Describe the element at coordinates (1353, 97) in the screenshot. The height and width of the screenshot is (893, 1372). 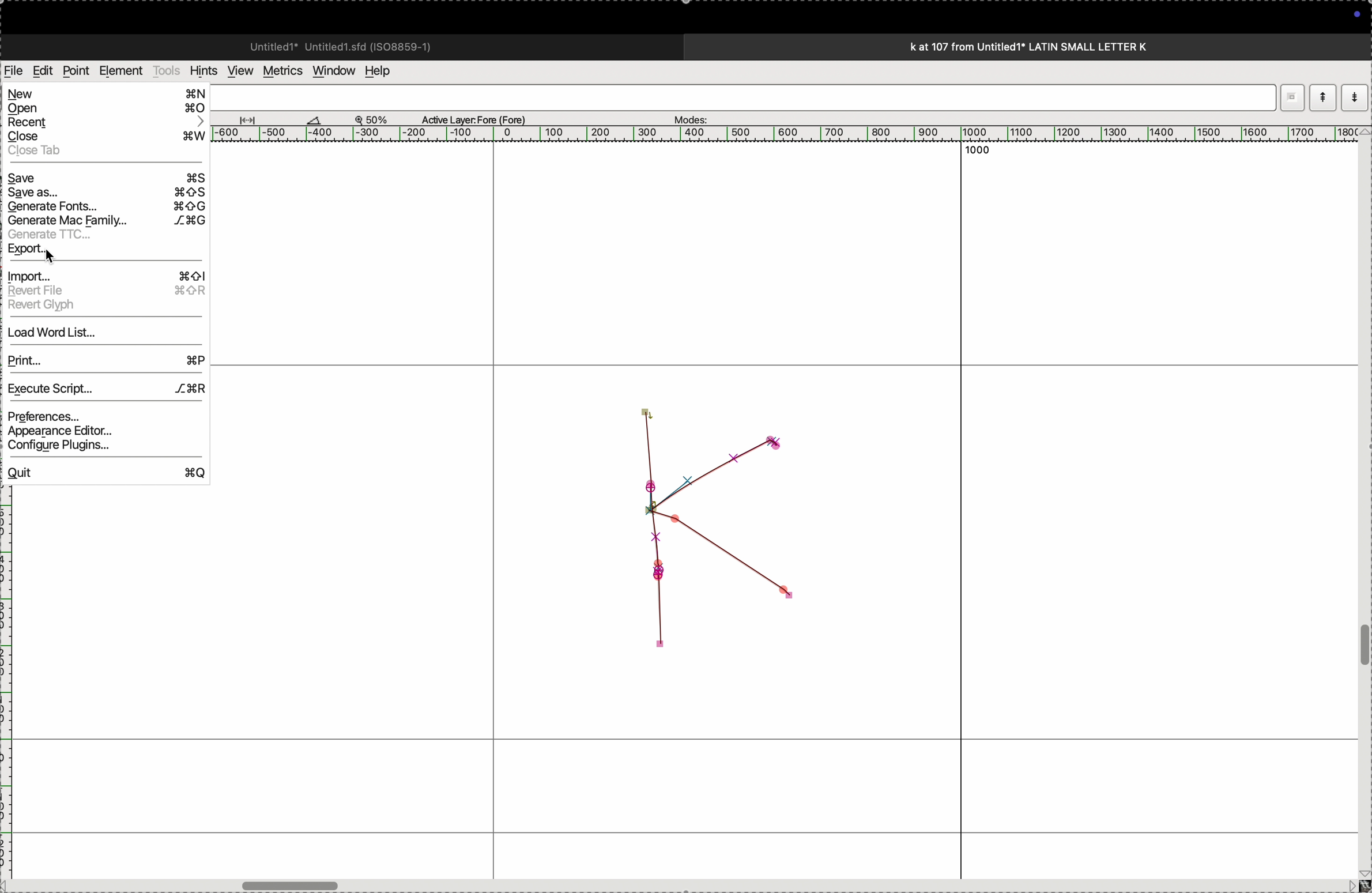
I see `.` at that location.